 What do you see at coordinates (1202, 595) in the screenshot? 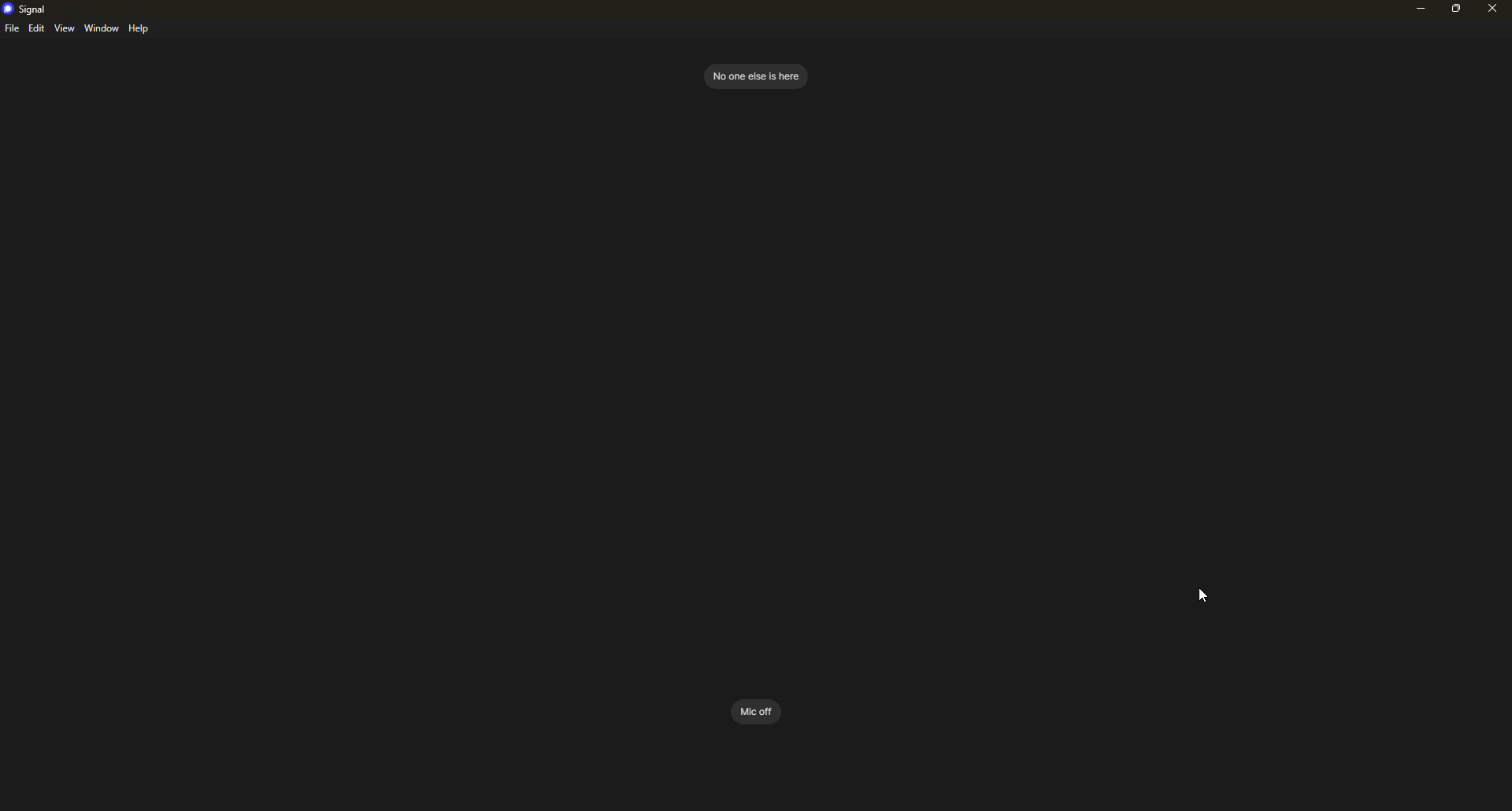
I see `cursor` at bounding box center [1202, 595].